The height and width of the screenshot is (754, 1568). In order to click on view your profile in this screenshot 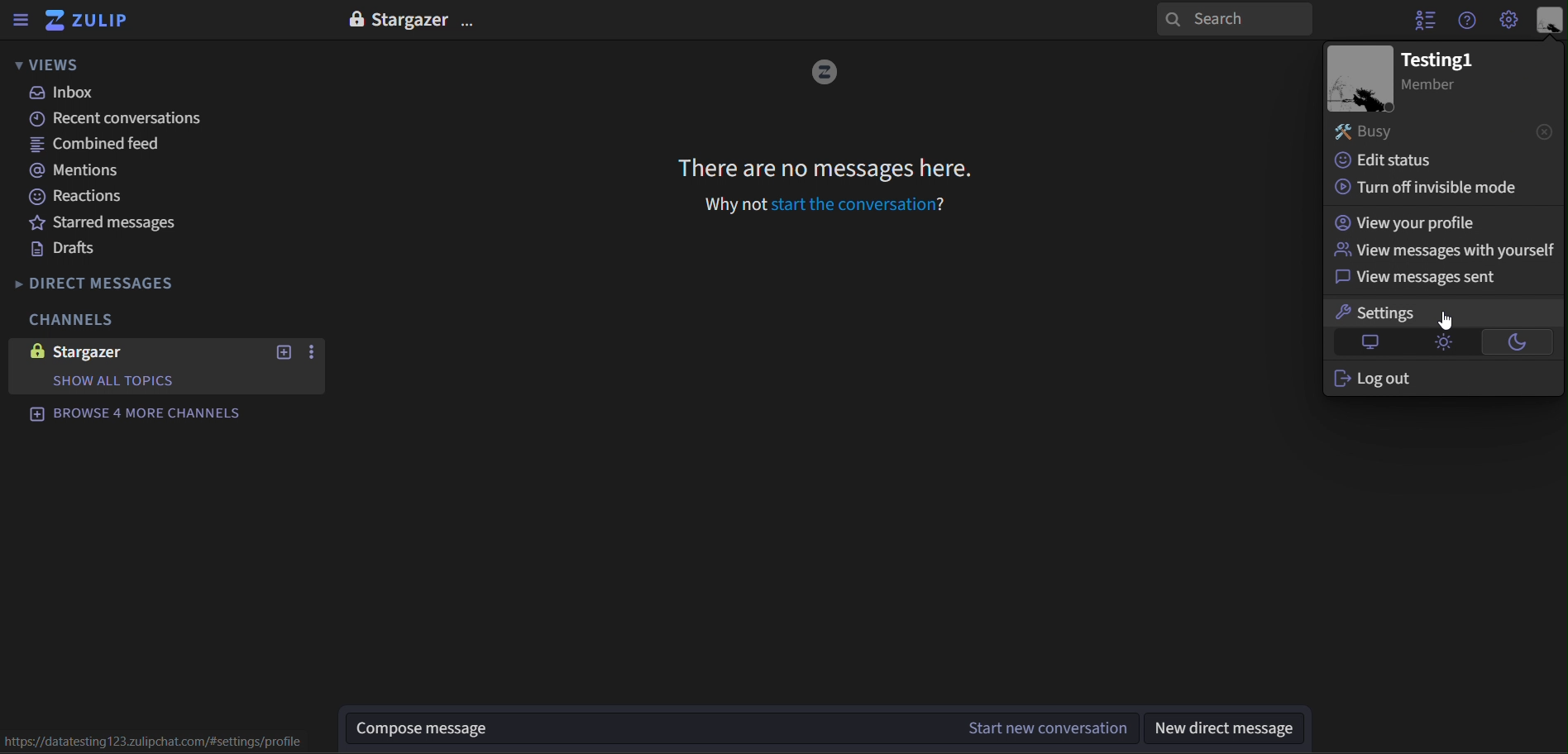, I will do `click(1416, 223)`.